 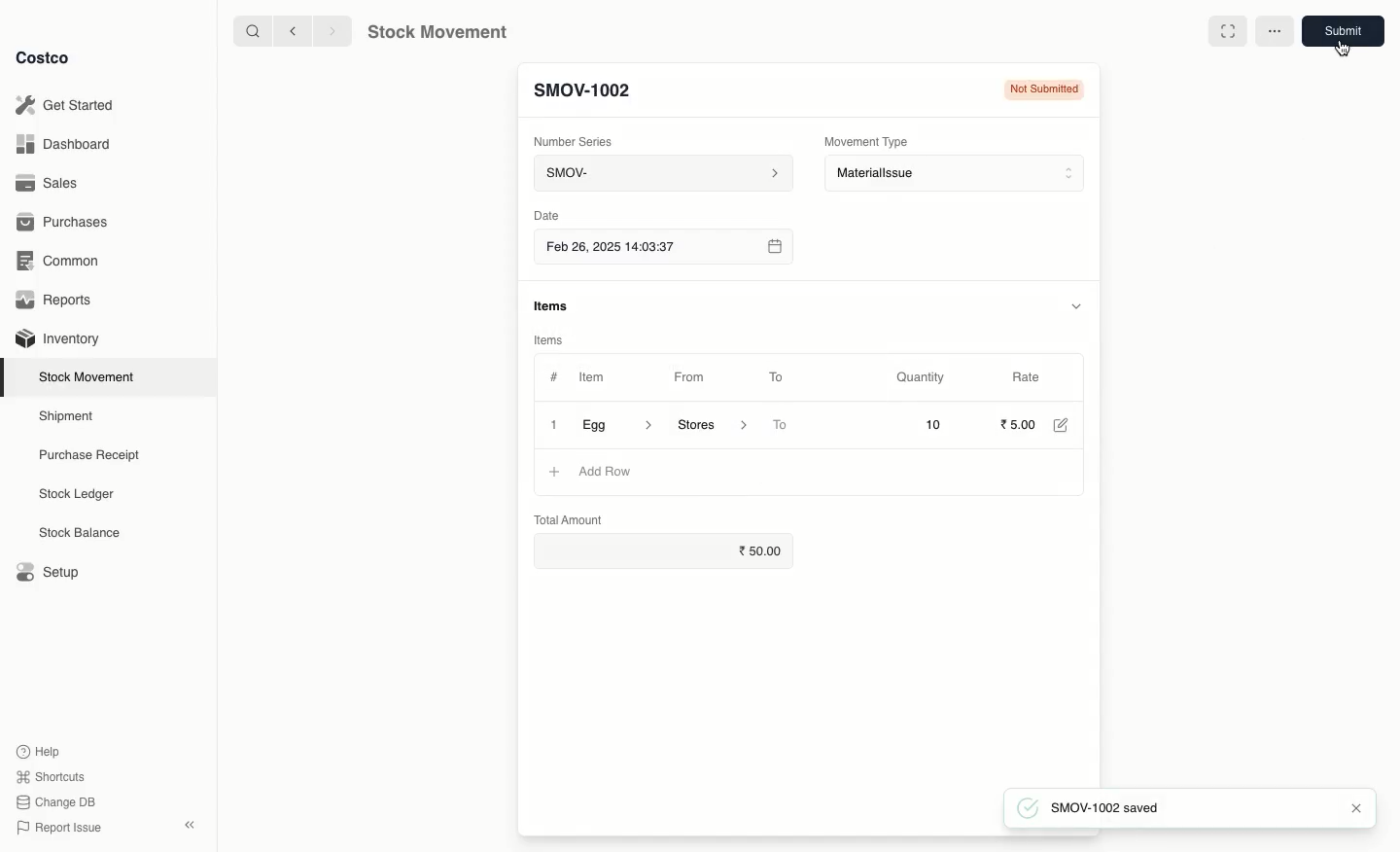 What do you see at coordinates (60, 339) in the screenshot?
I see `Inventory` at bounding box center [60, 339].